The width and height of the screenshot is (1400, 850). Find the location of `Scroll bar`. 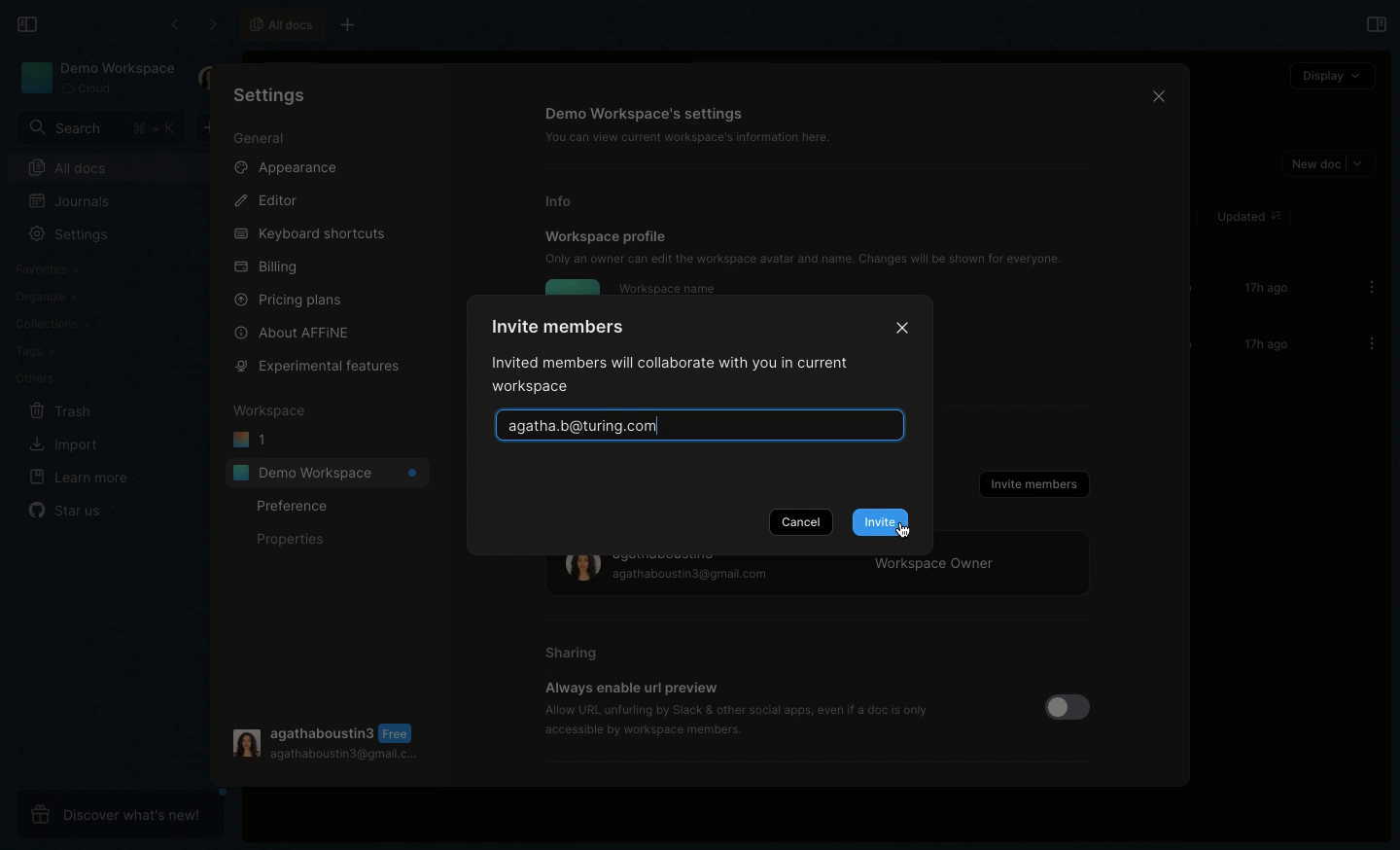

Scroll bar is located at coordinates (1188, 321).